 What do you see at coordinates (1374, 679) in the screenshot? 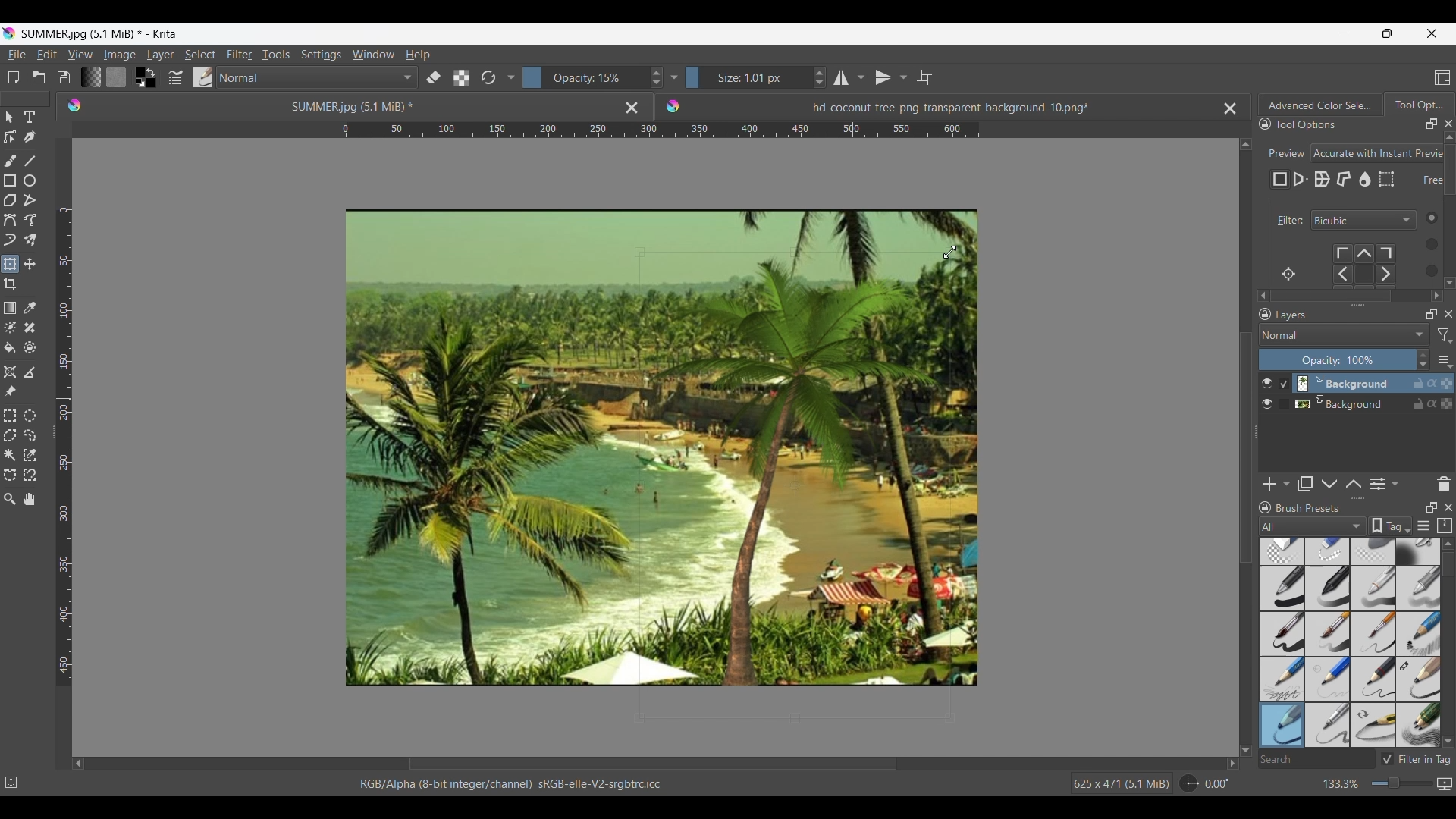
I see `pencil 2` at bounding box center [1374, 679].